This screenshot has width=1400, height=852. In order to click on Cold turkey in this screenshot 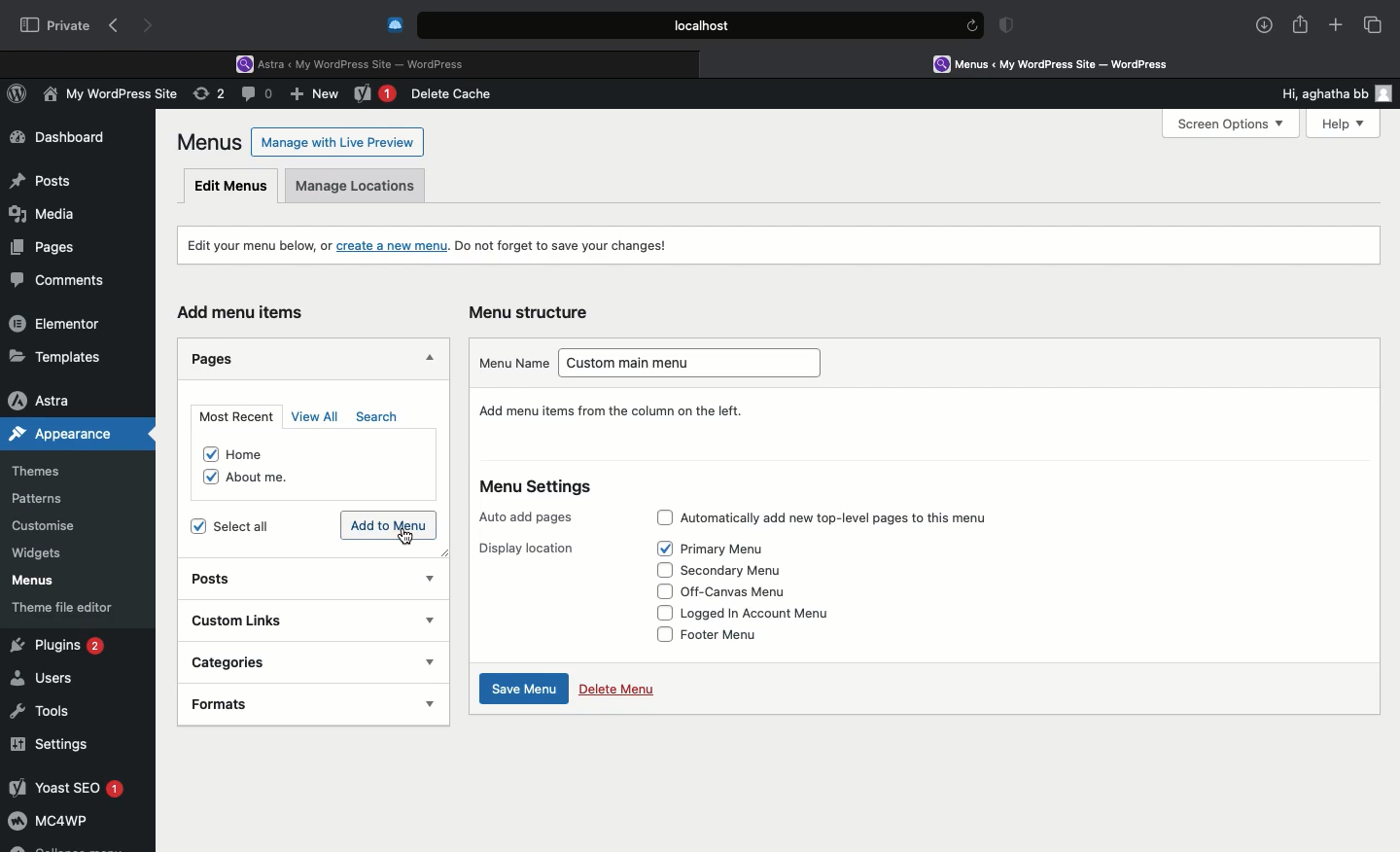, I will do `click(396, 25)`.